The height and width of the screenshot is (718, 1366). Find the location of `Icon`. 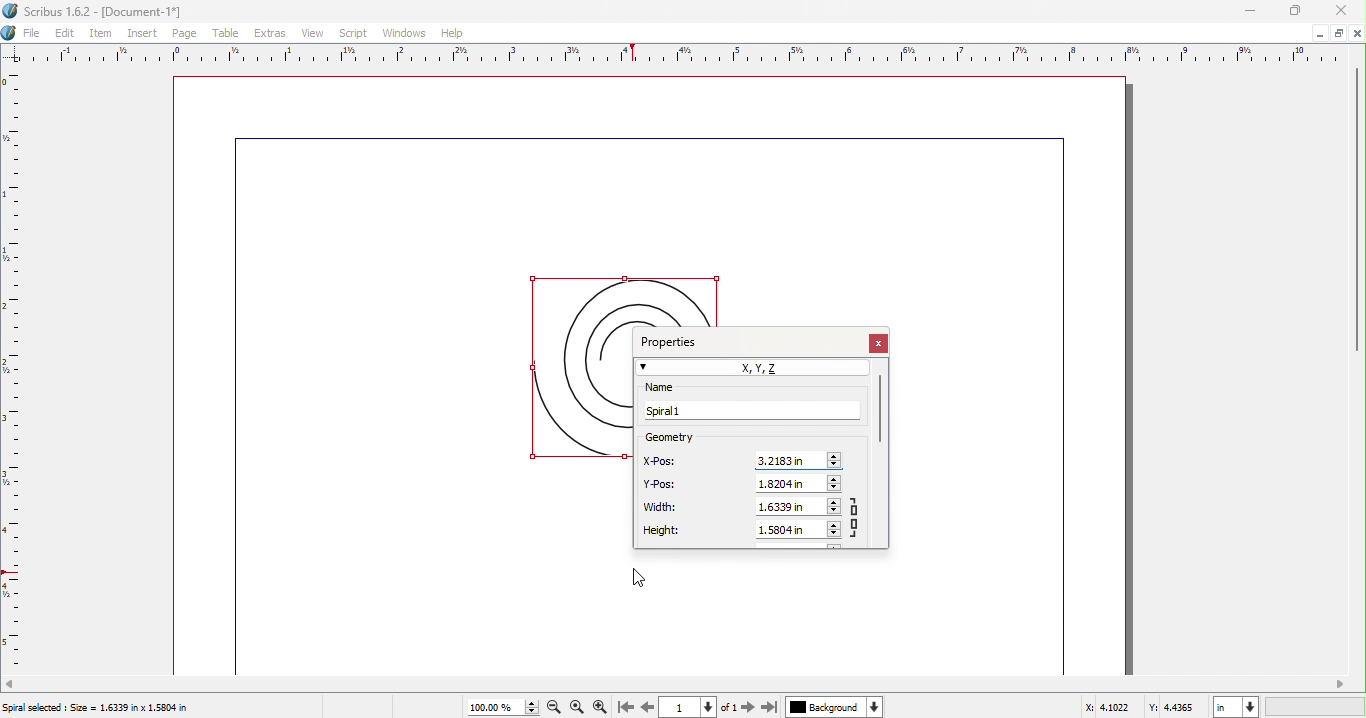

Icon is located at coordinates (10, 33).